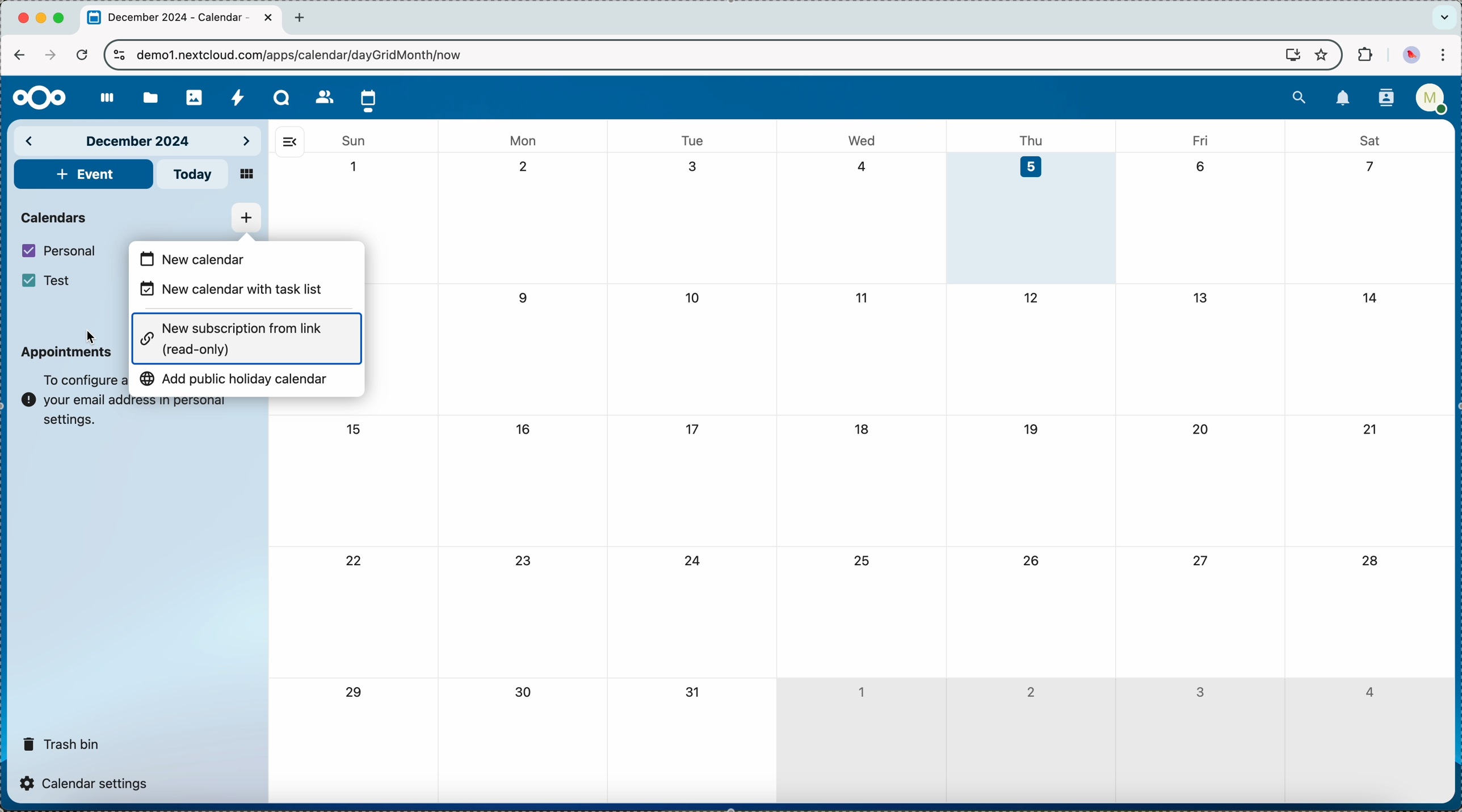 The image size is (1462, 812). I want to click on 11, so click(860, 297).